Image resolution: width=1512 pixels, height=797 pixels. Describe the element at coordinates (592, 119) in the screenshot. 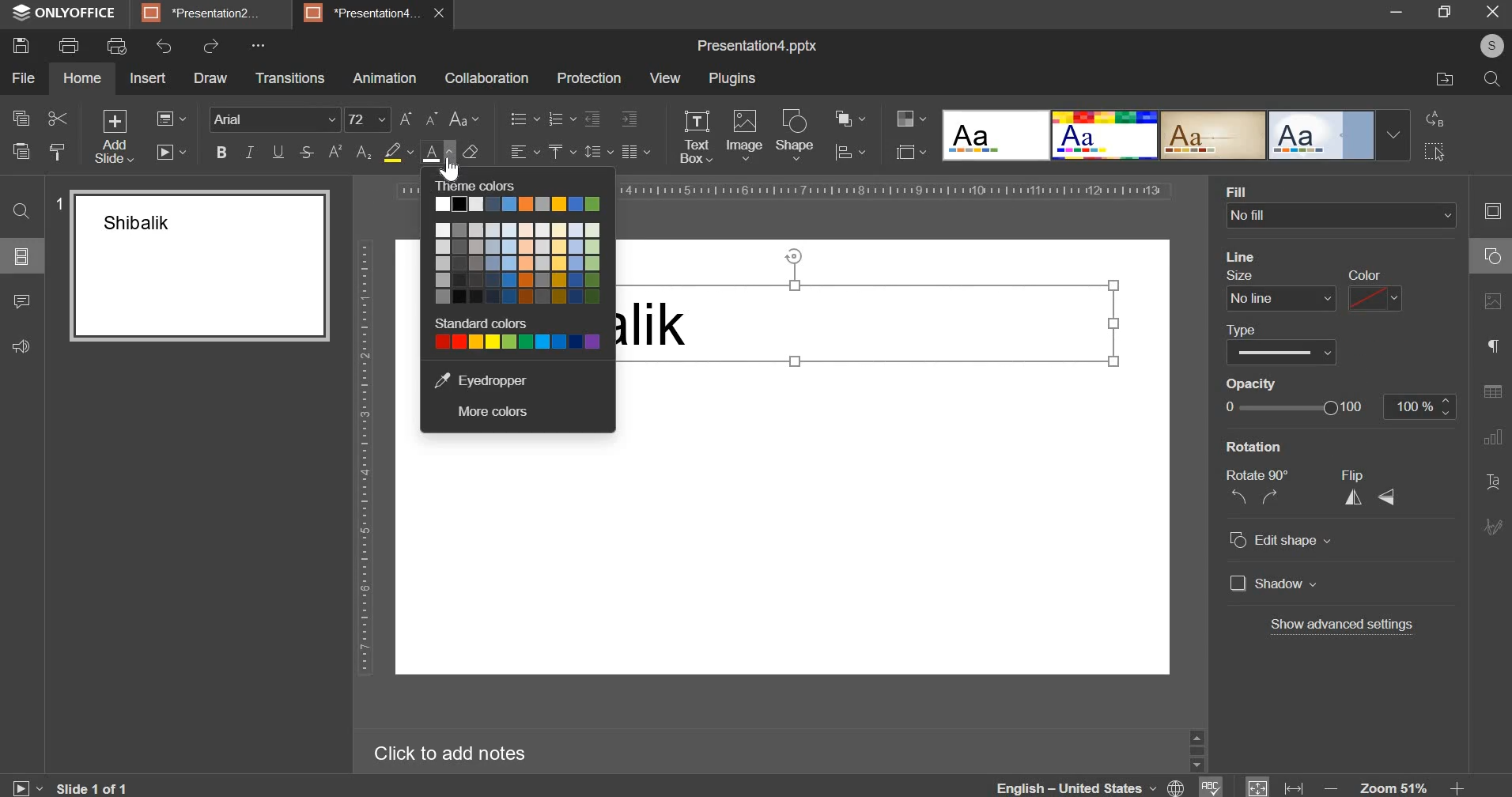

I see `decrease indent` at that location.